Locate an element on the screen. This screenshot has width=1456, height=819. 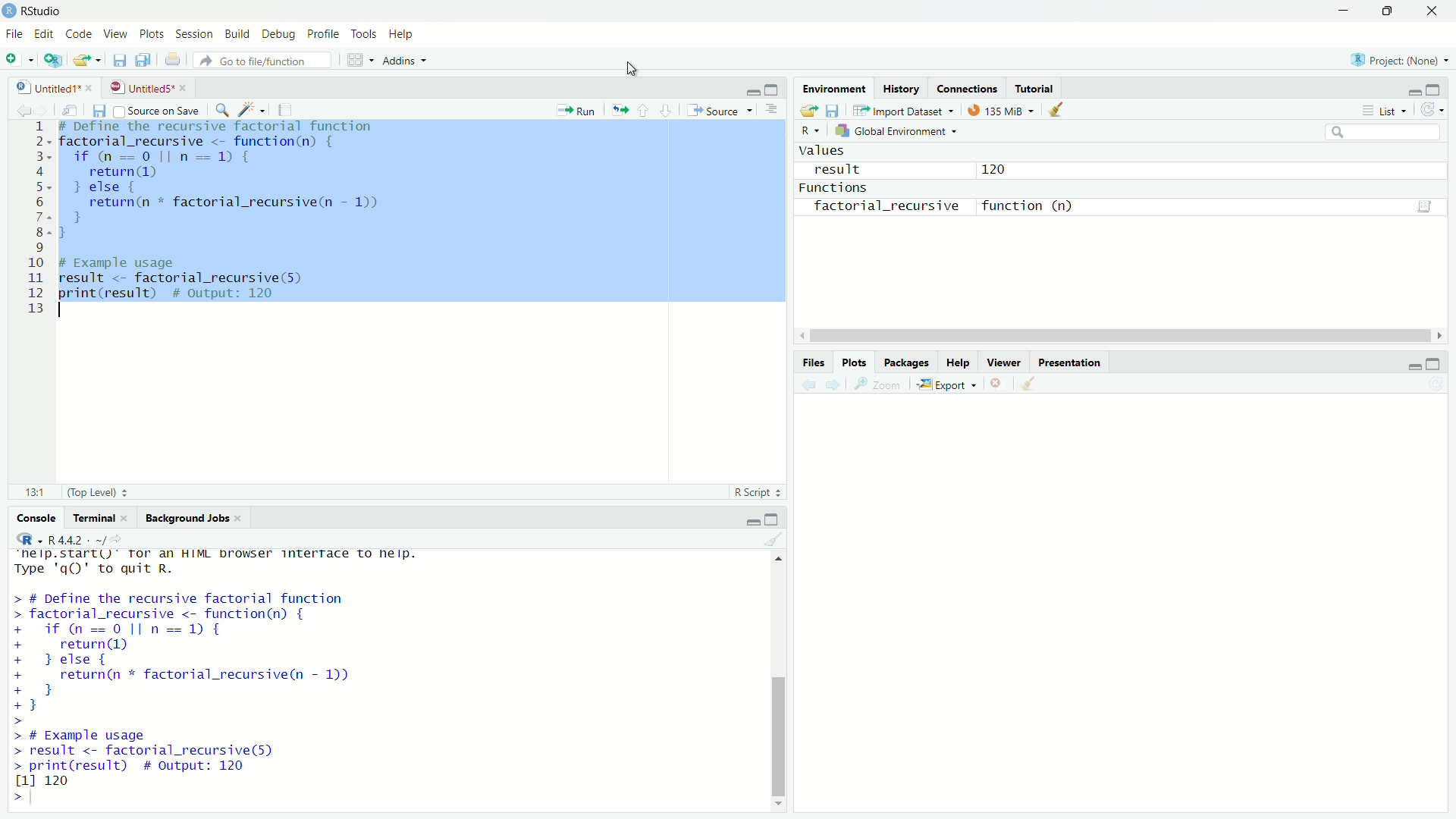
Minimize is located at coordinates (1341, 11).